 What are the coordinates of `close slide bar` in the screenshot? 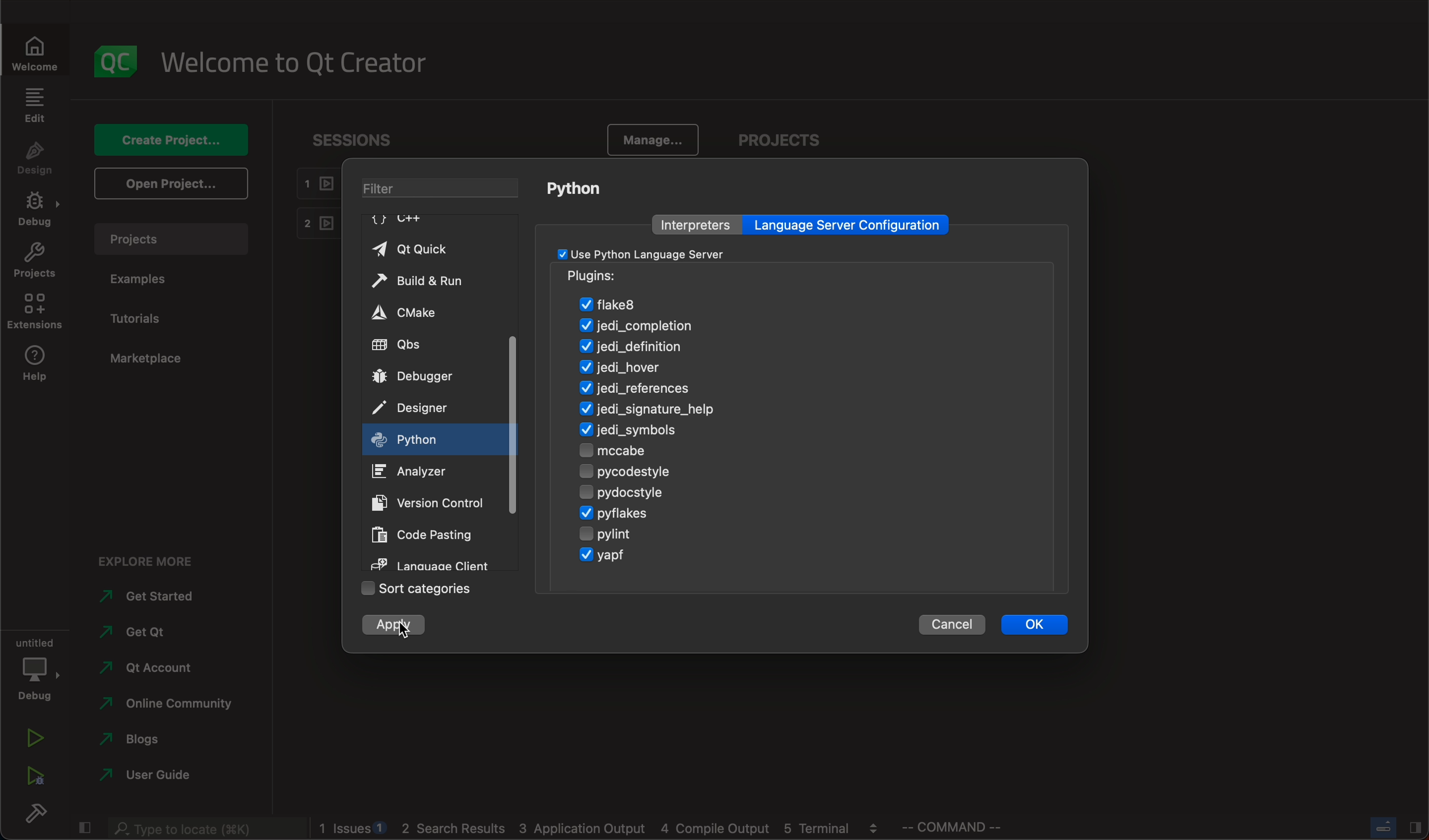 It's located at (1393, 827).